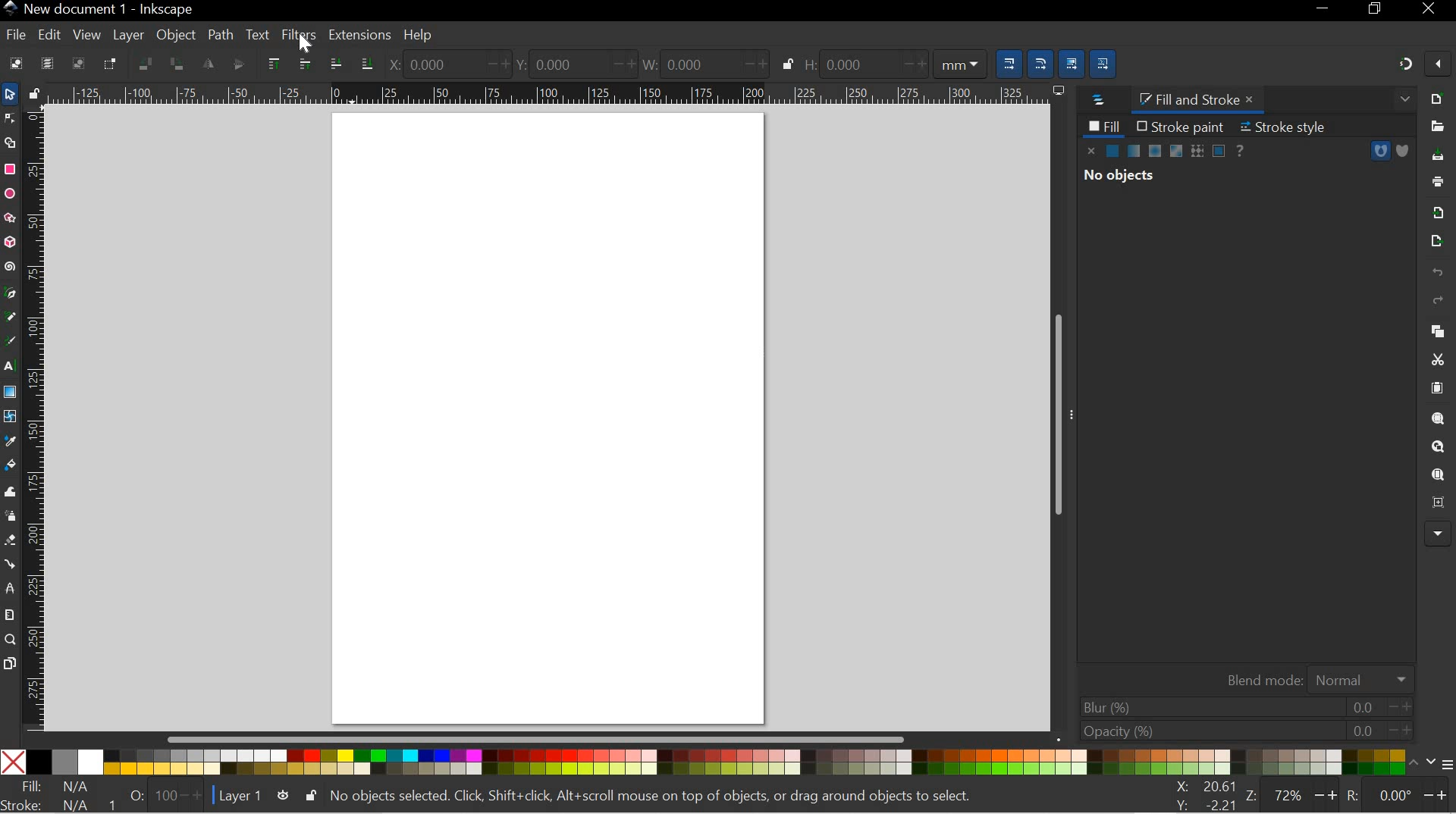 Image resolution: width=1456 pixels, height=814 pixels. I want to click on ENABLE SNAPPING, so click(1438, 66).